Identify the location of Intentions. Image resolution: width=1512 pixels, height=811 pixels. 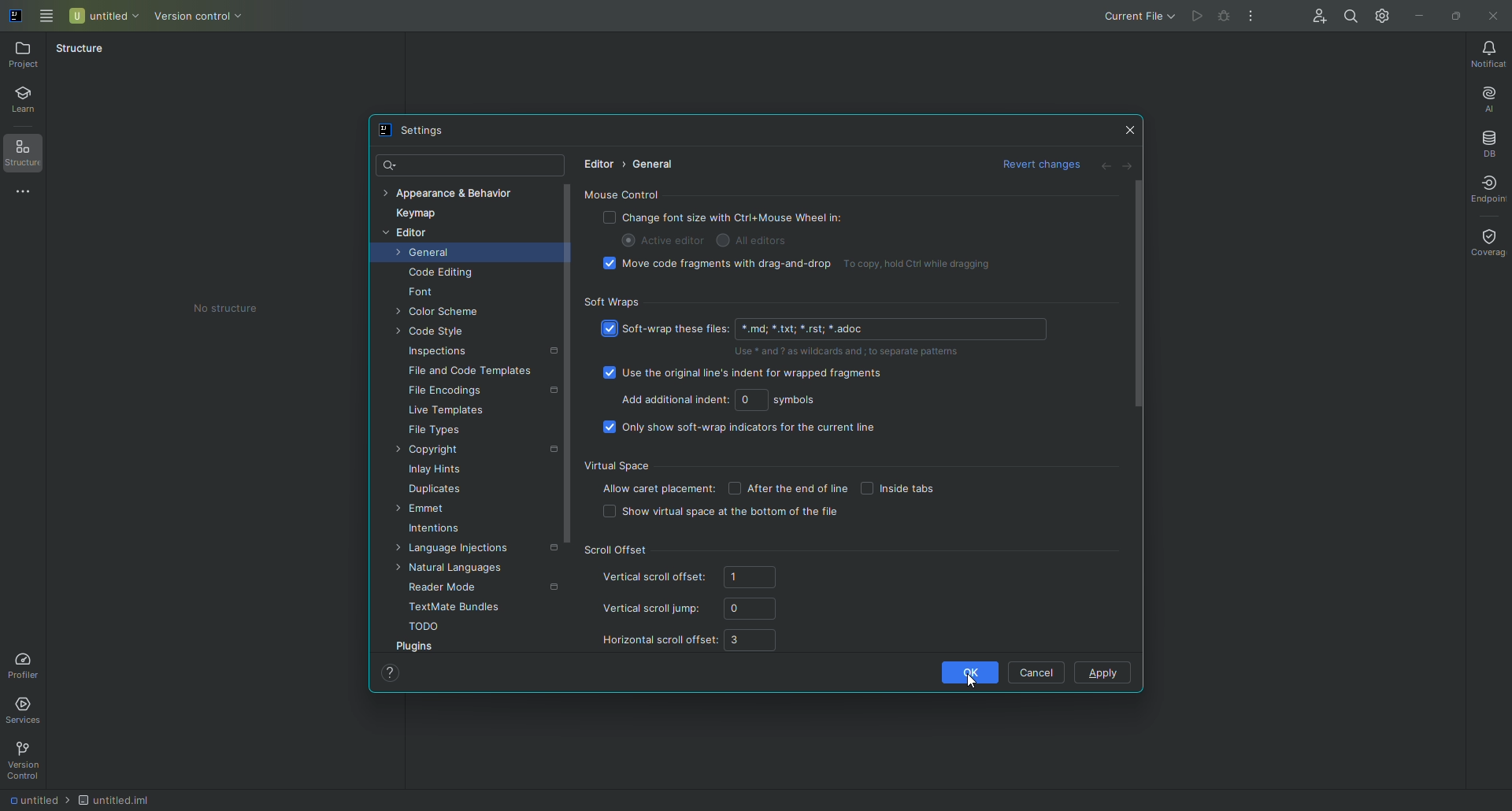
(434, 529).